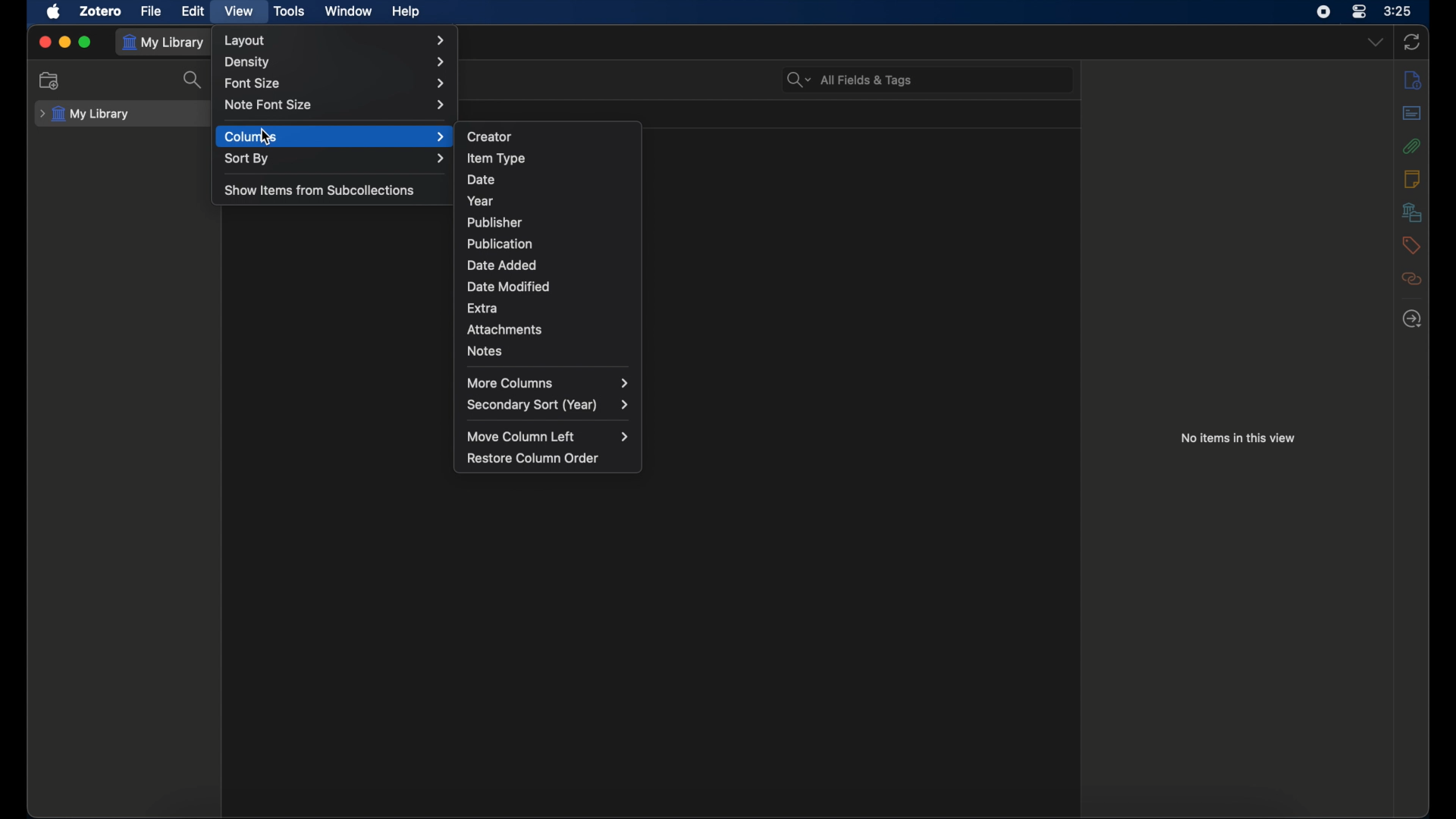 This screenshot has height=819, width=1456. What do you see at coordinates (490, 136) in the screenshot?
I see `creator` at bounding box center [490, 136].